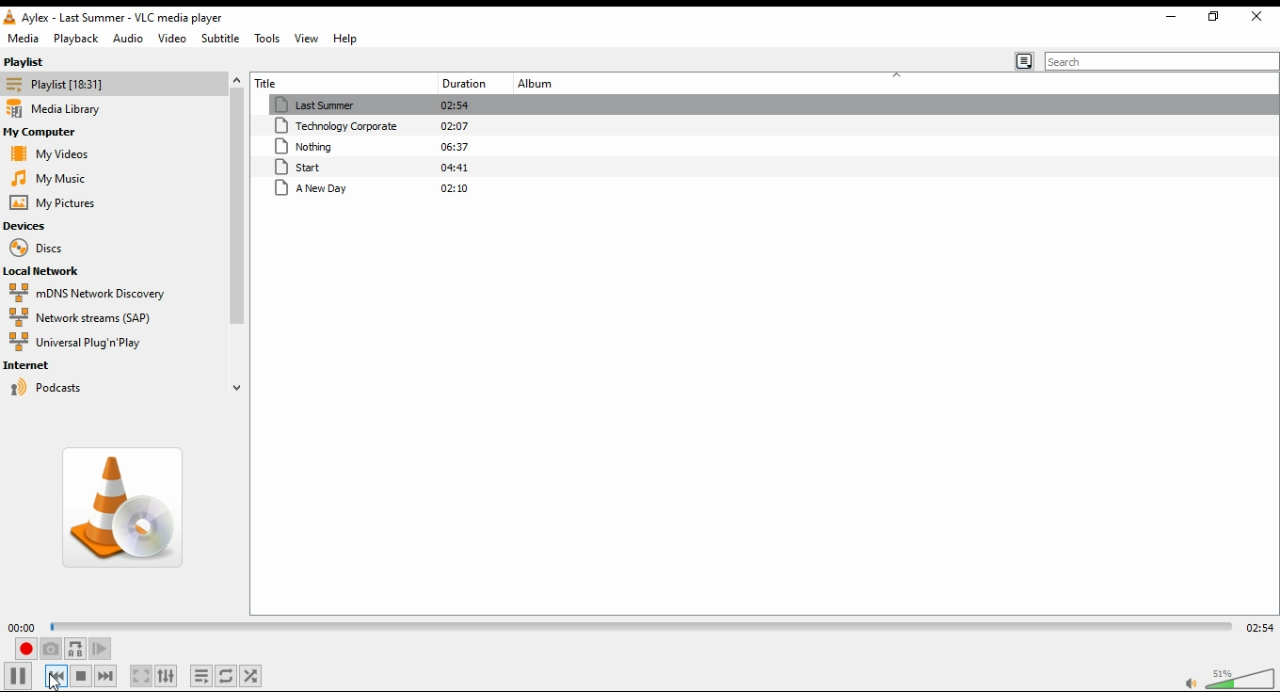 This screenshot has height=692, width=1280. What do you see at coordinates (50, 247) in the screenshot?
I see `discs` at bounding box center [50, 247].